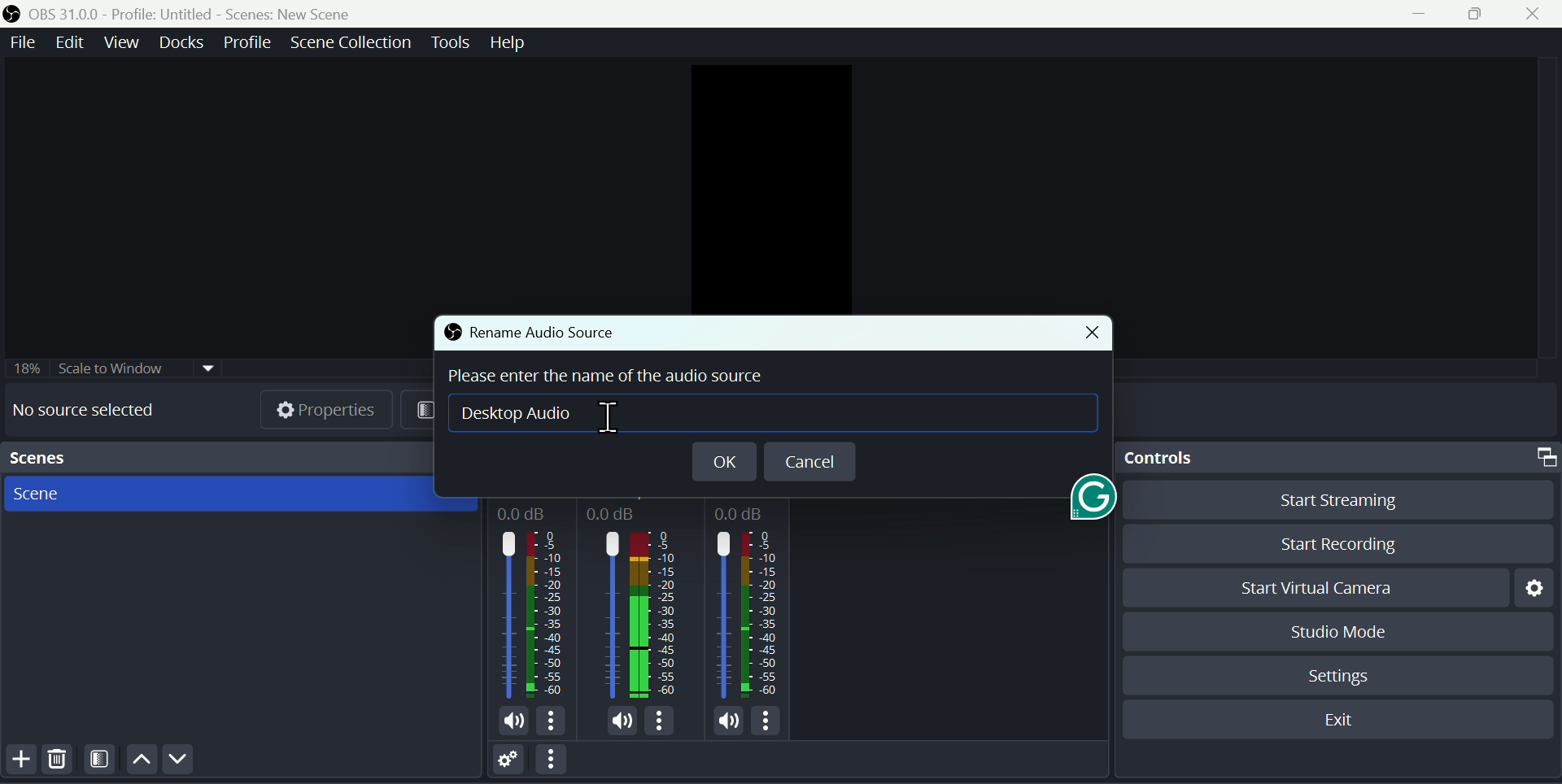 This screenshot has width=1562, height=784. Describe the element at coordinates (507, 45) in the screenshot. I see `help` at that location.